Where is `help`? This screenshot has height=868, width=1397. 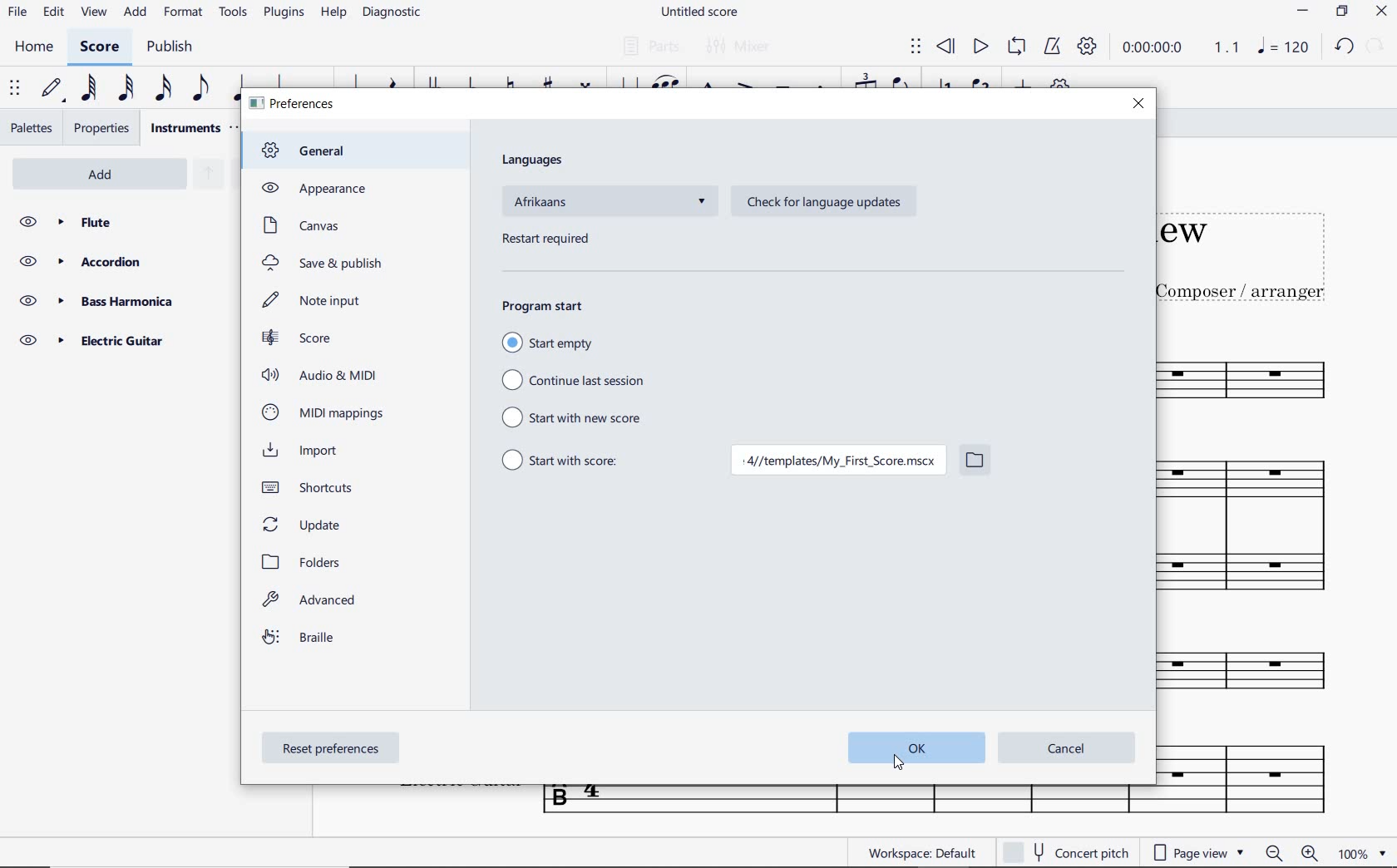 help is located at coordinates (333, 14).